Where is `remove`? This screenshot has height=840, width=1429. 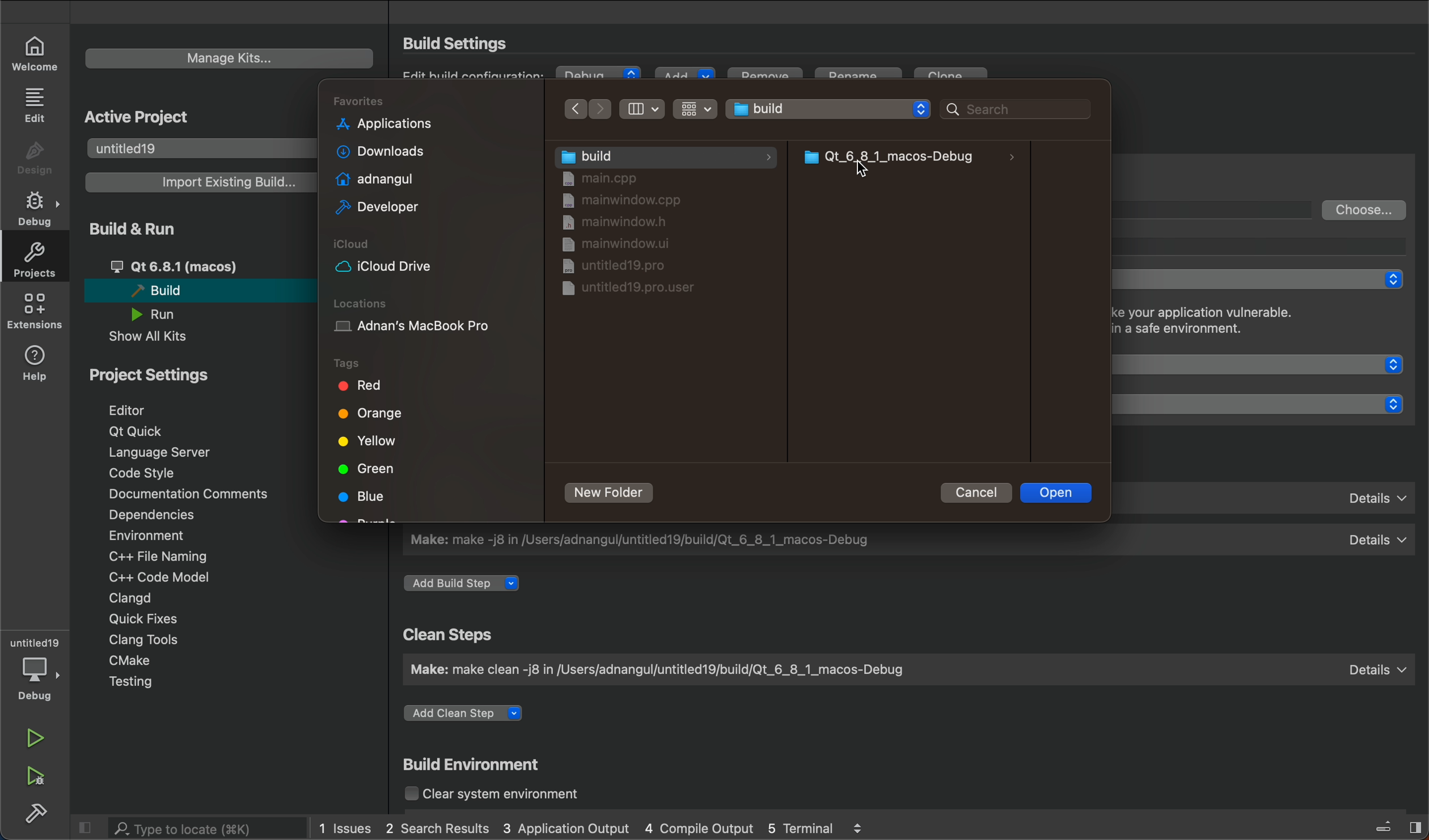 remove is located at coordinates (764, 79).